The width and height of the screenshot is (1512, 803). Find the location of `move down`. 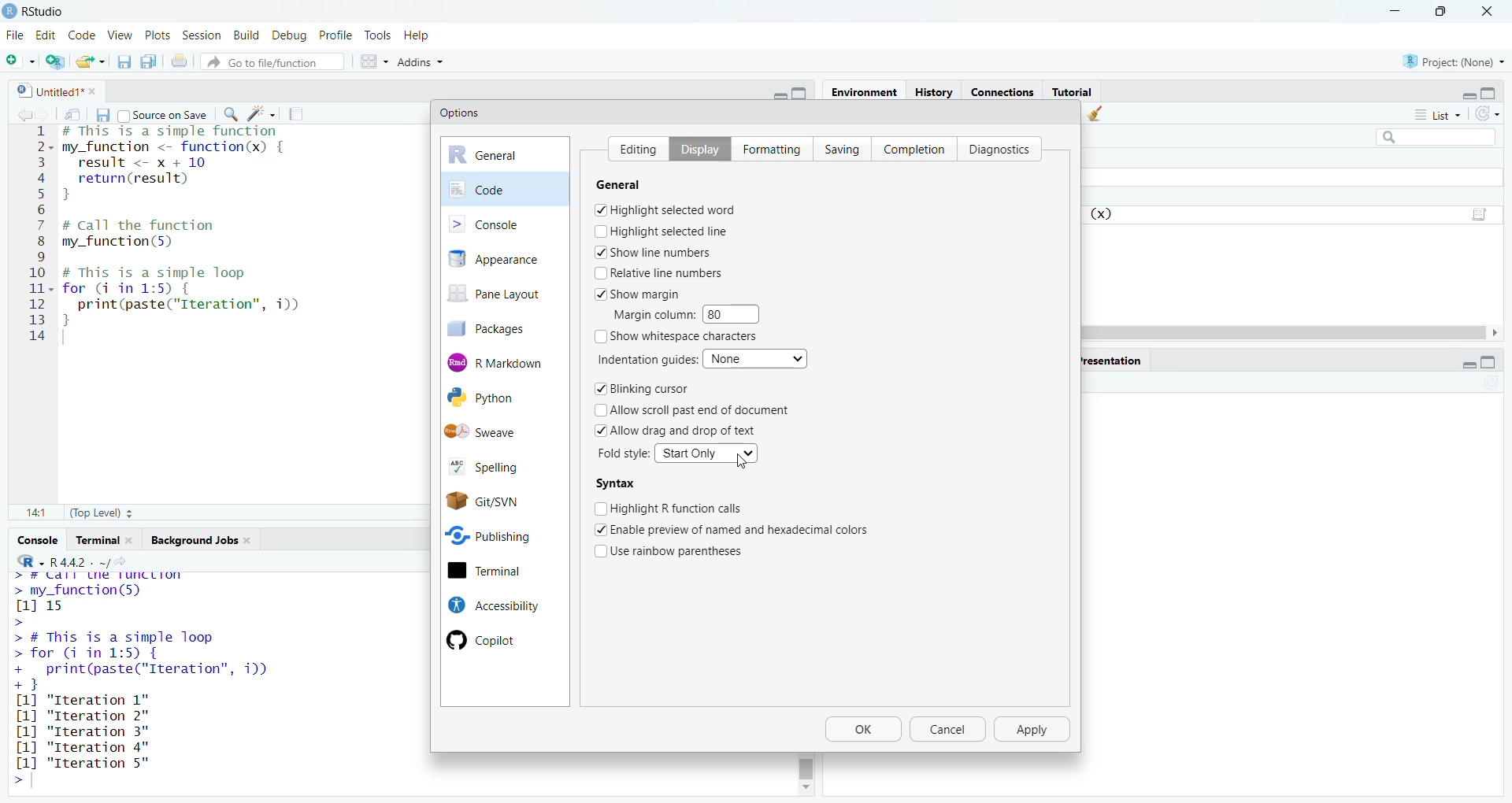

move down is located at coordinates (805, 789).